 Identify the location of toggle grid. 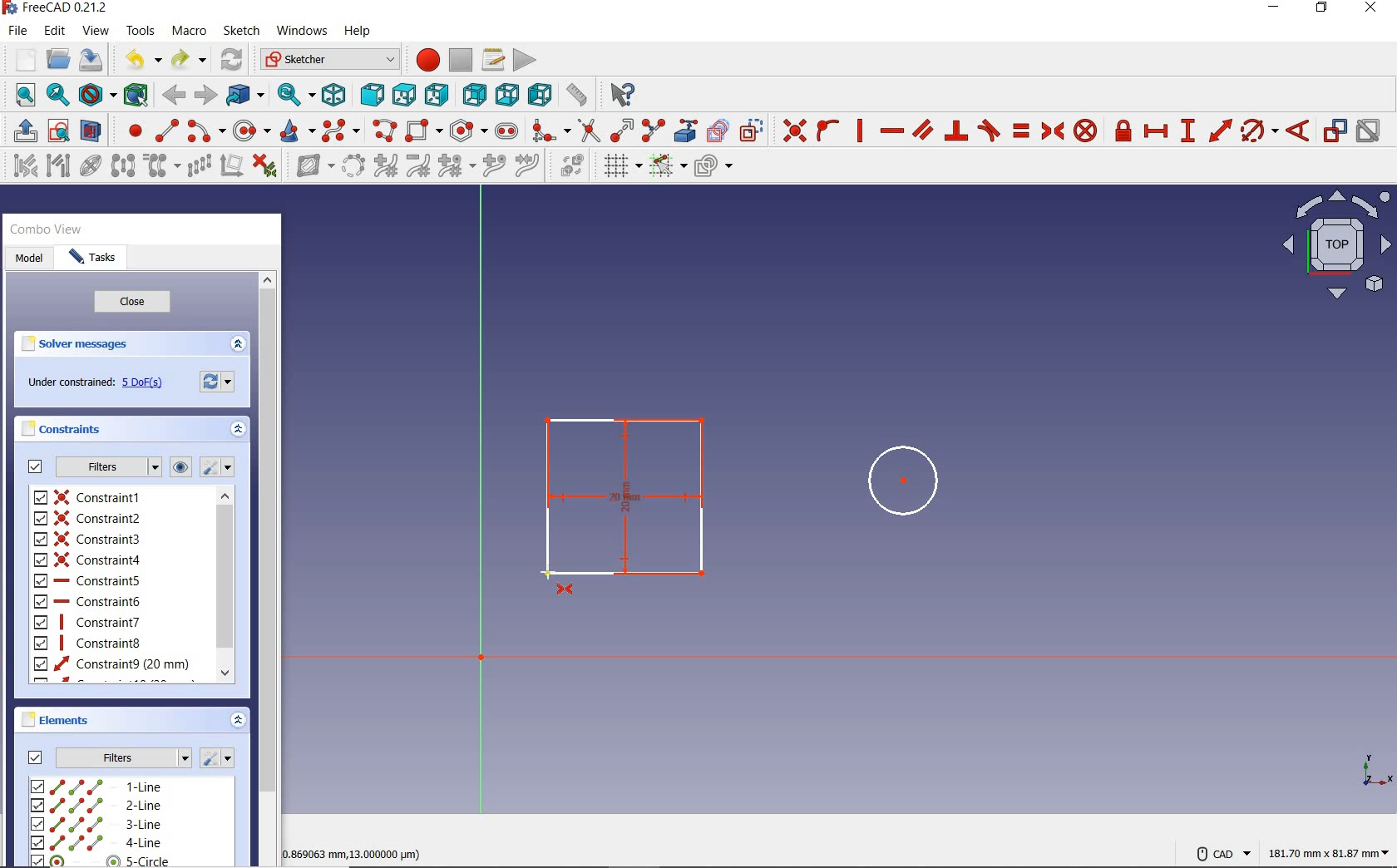
(619, 167).